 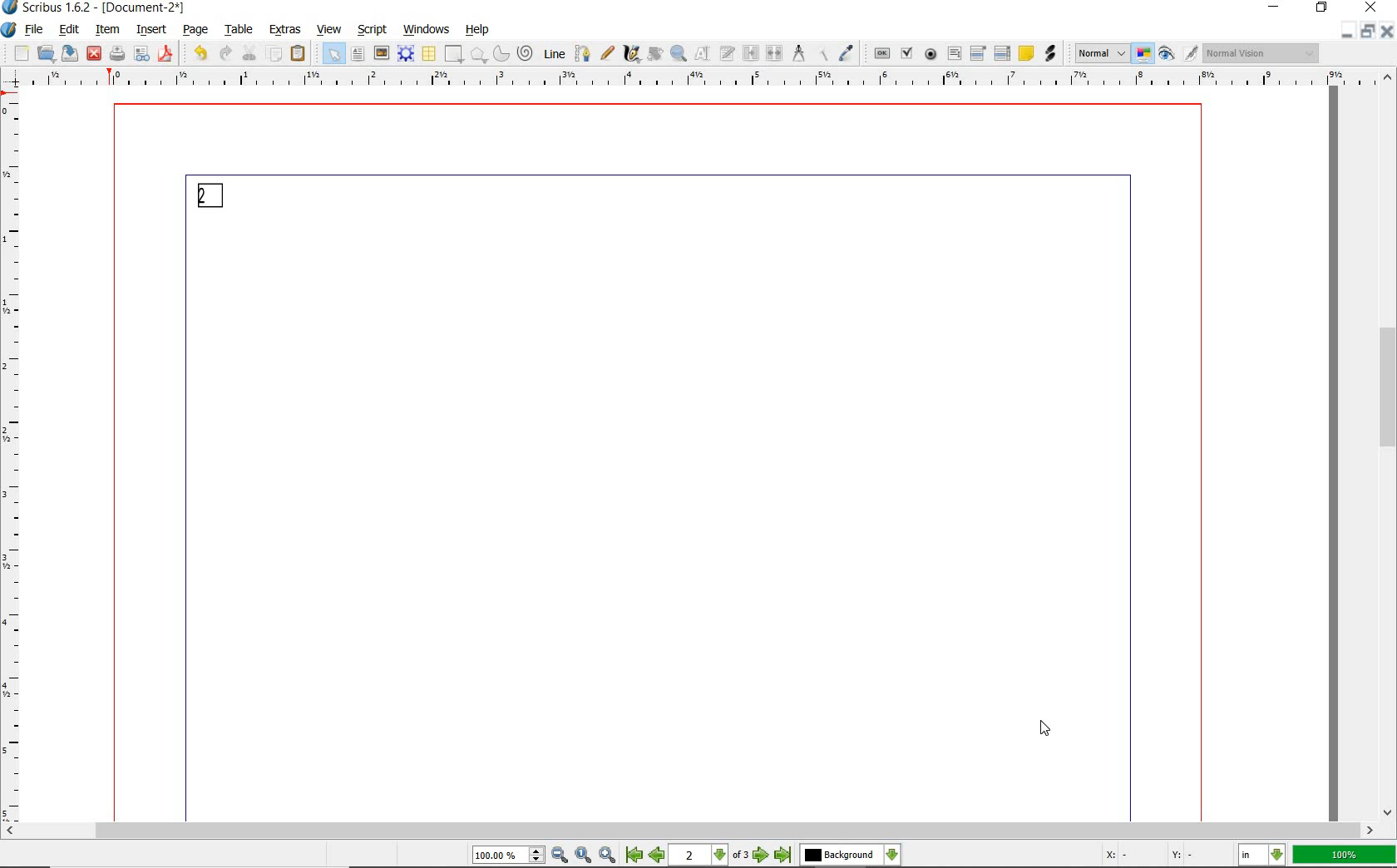 I want to click on table, so click(x=240, y=31).